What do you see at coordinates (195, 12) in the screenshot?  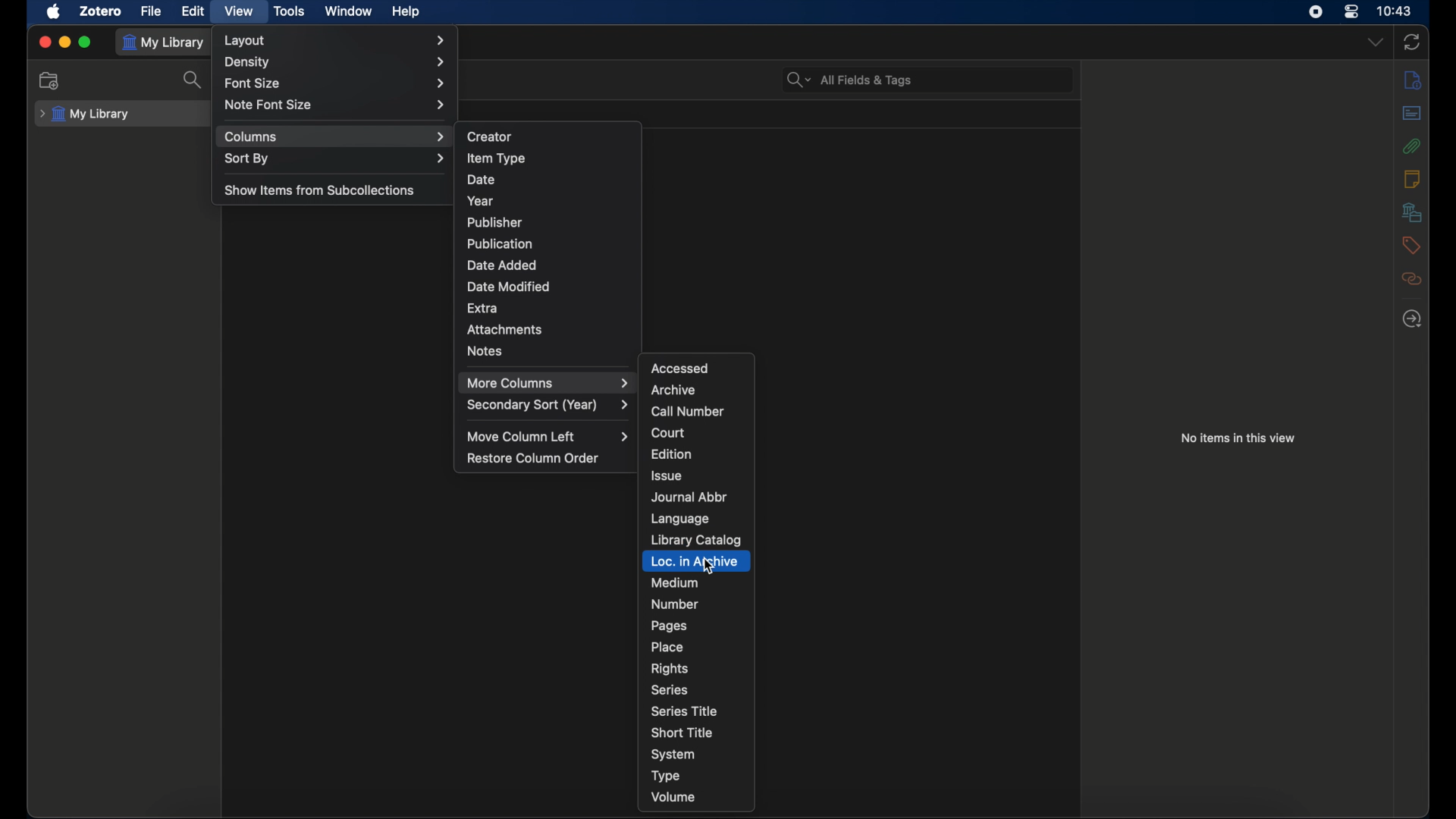 I see `edit` at bounding box center [195, 12].